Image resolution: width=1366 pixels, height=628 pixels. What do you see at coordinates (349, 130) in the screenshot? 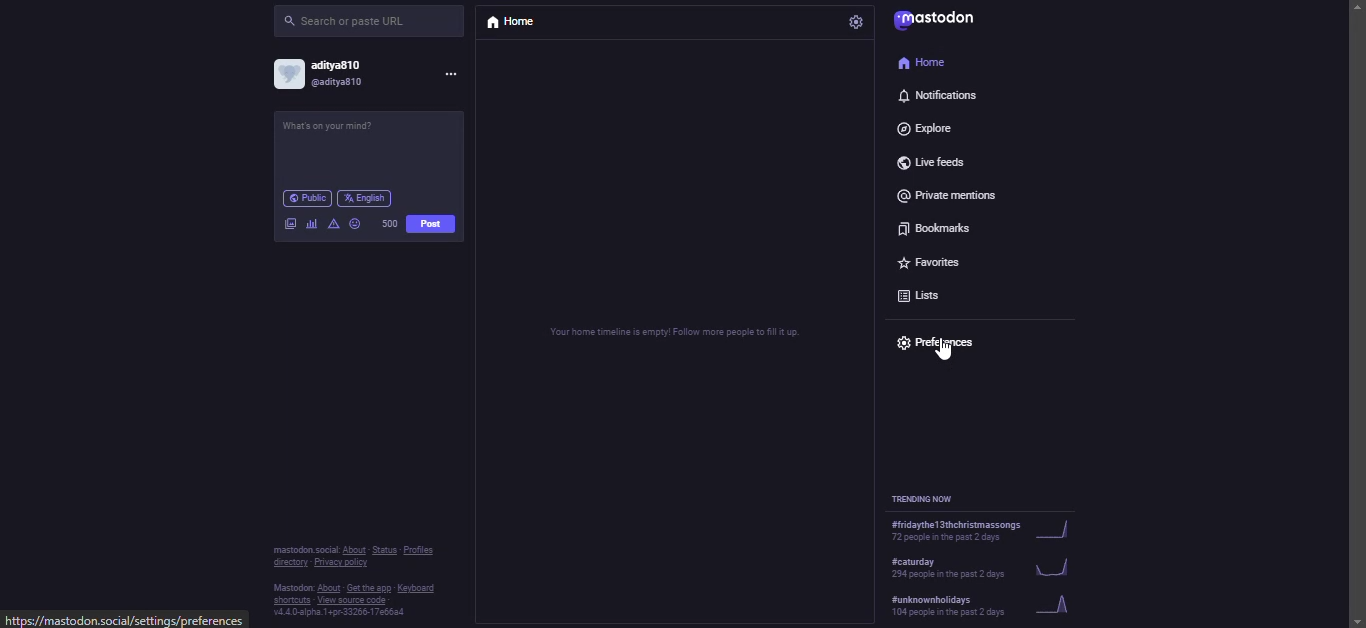
I see `post` at bounding box center [349, 130].